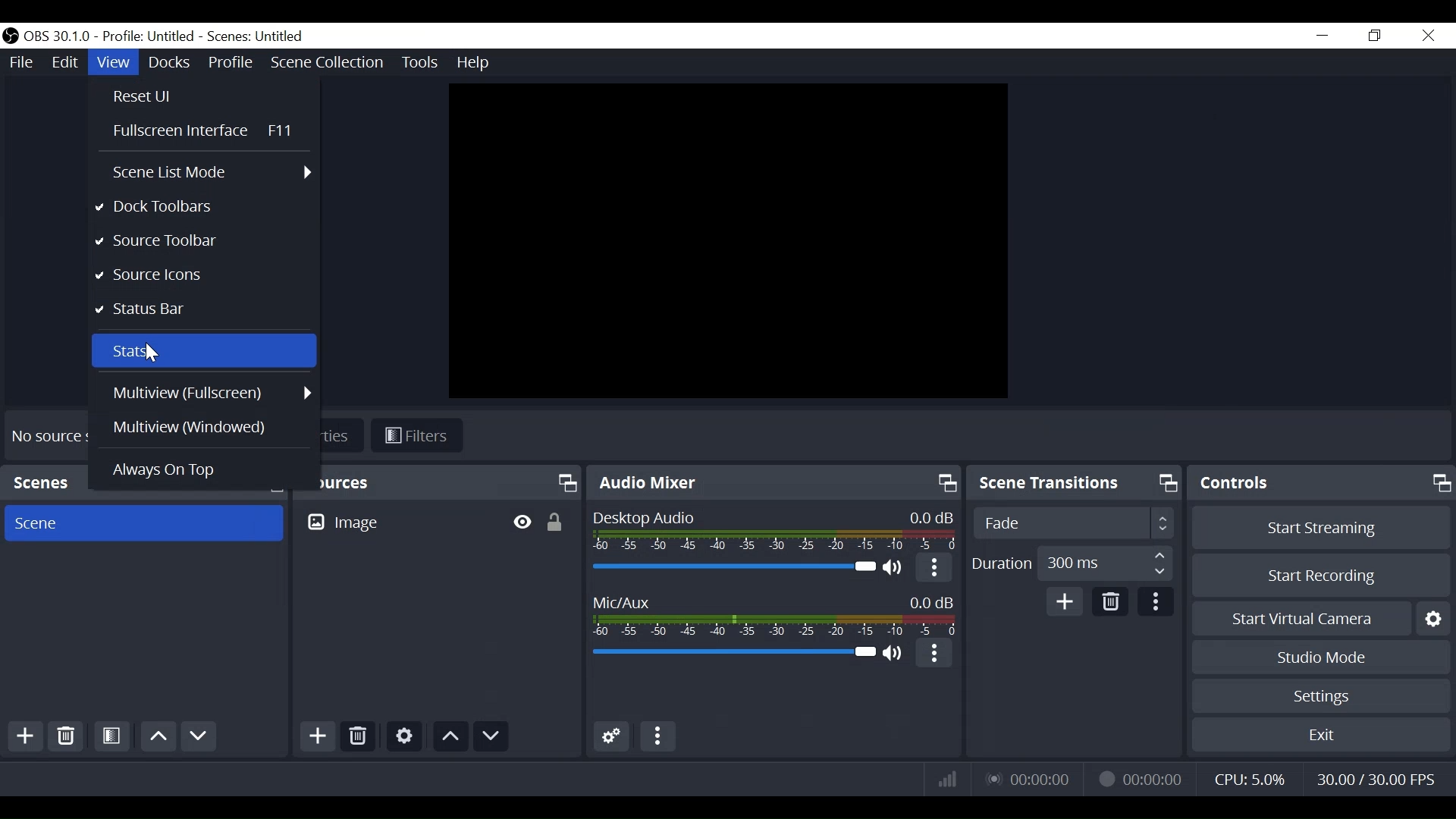  I want to click on Scene Name, so click(260, 36).